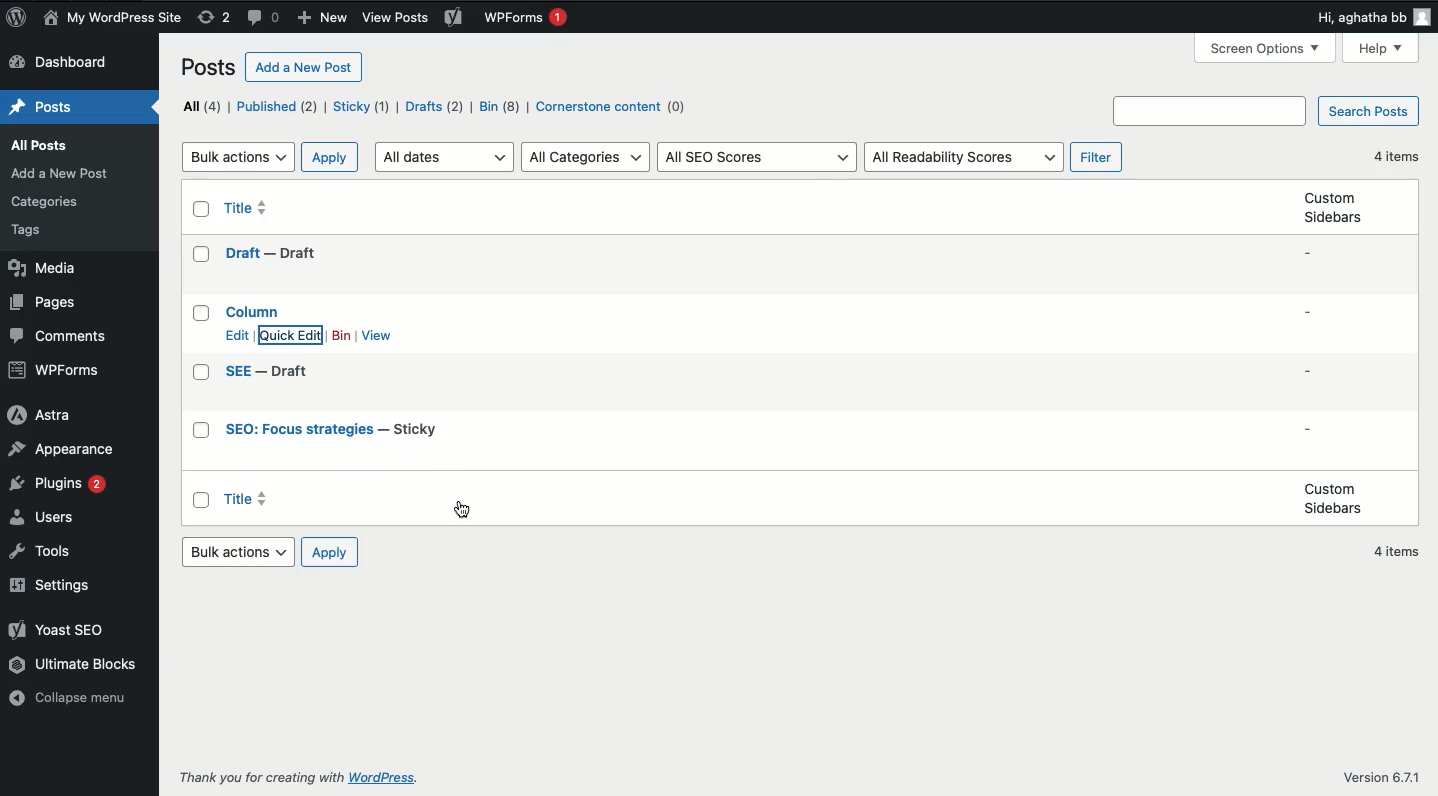  What do you see at coordinates (200, 105) in the screenshot?
I see `All` at bounding box center [200, 105].